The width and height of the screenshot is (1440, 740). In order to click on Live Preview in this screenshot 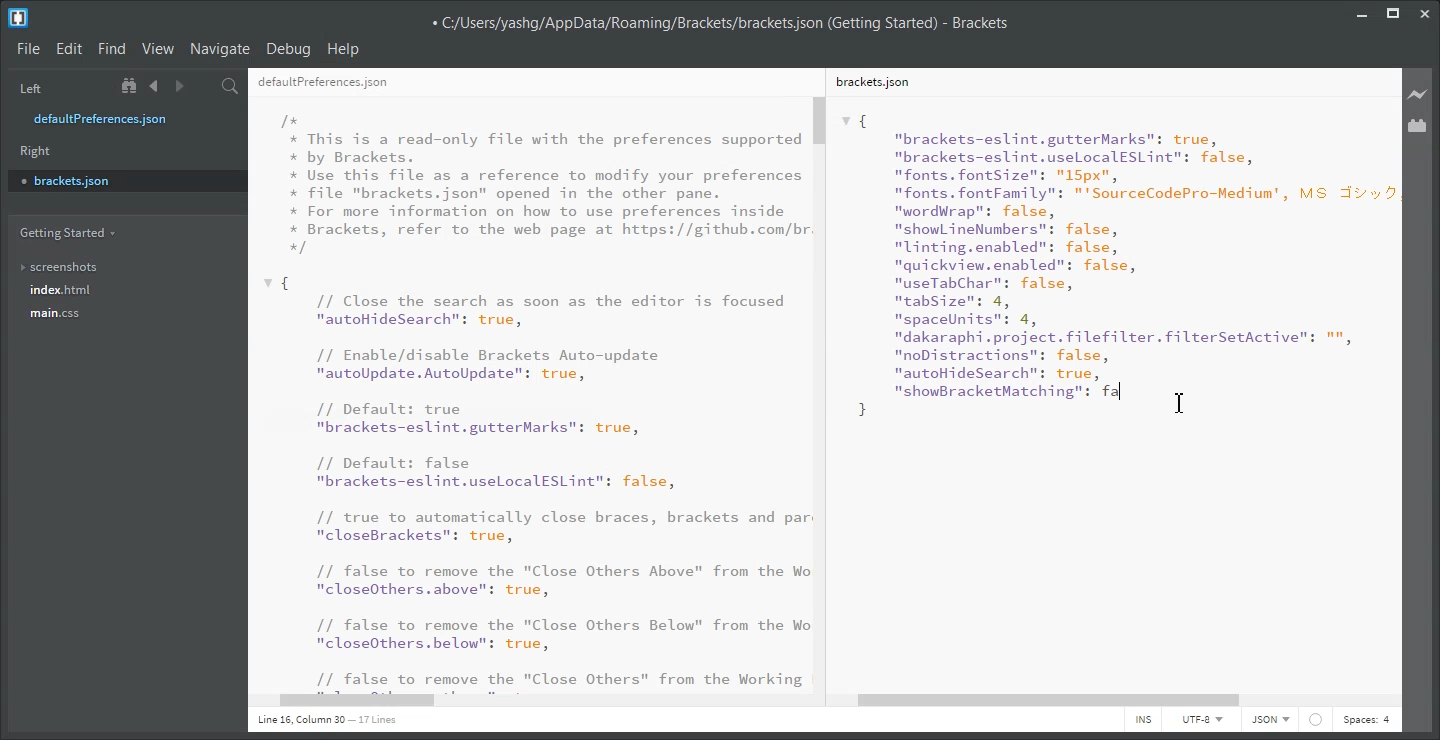, I will do `click(1418, 93)`.